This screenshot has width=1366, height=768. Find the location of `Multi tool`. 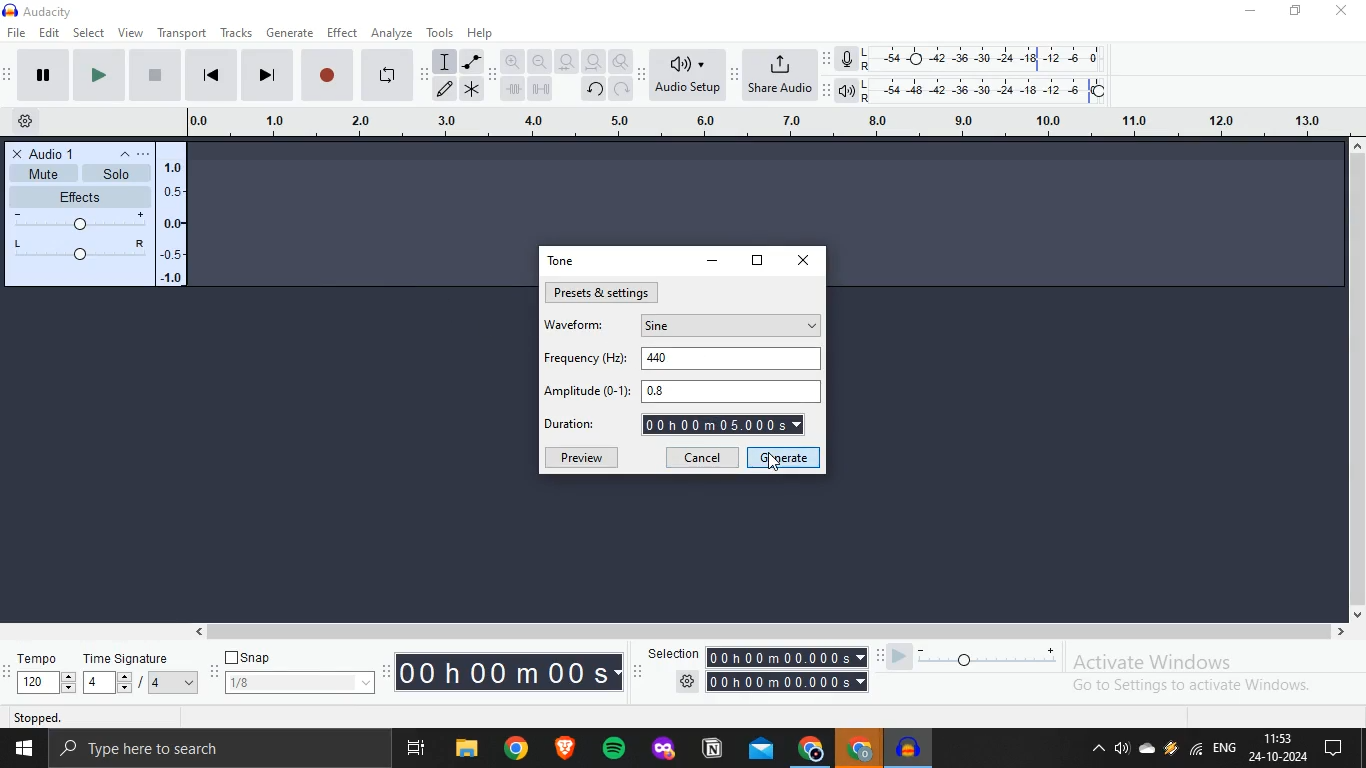

Multi tool is located at coordinates (473, 89).